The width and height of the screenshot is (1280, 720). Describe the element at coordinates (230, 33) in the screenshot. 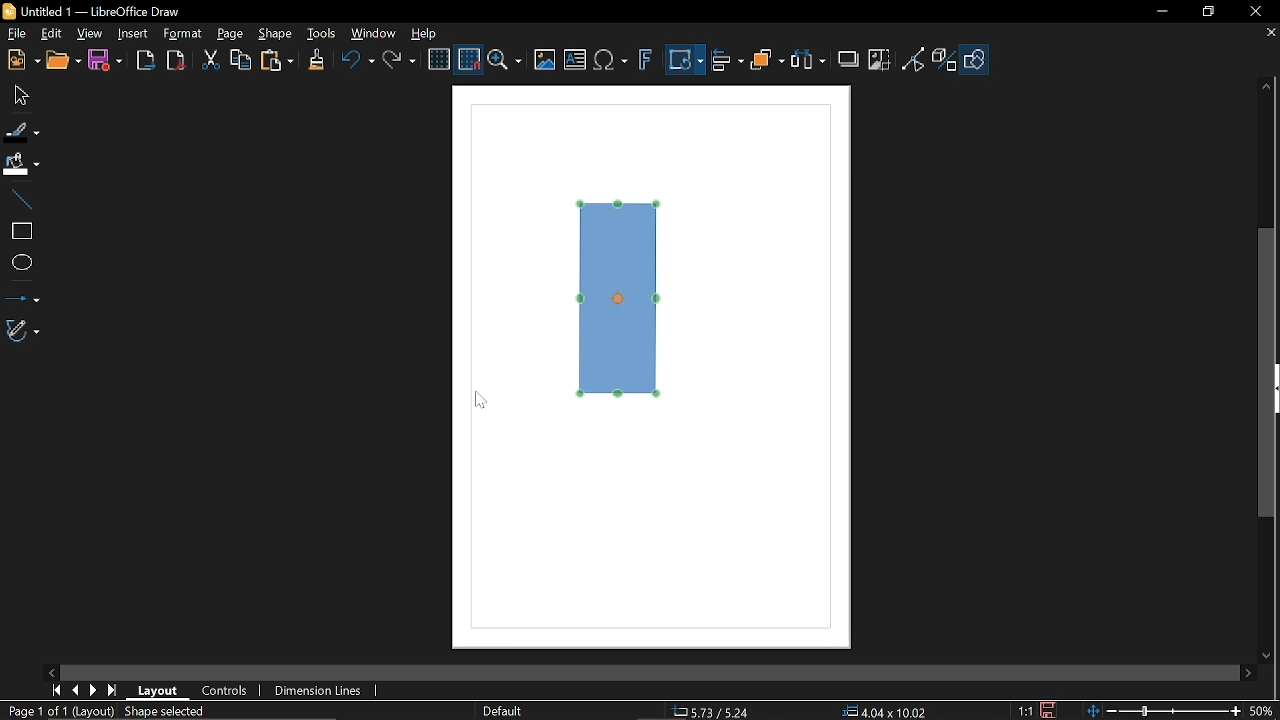

I see `Page` at that location.